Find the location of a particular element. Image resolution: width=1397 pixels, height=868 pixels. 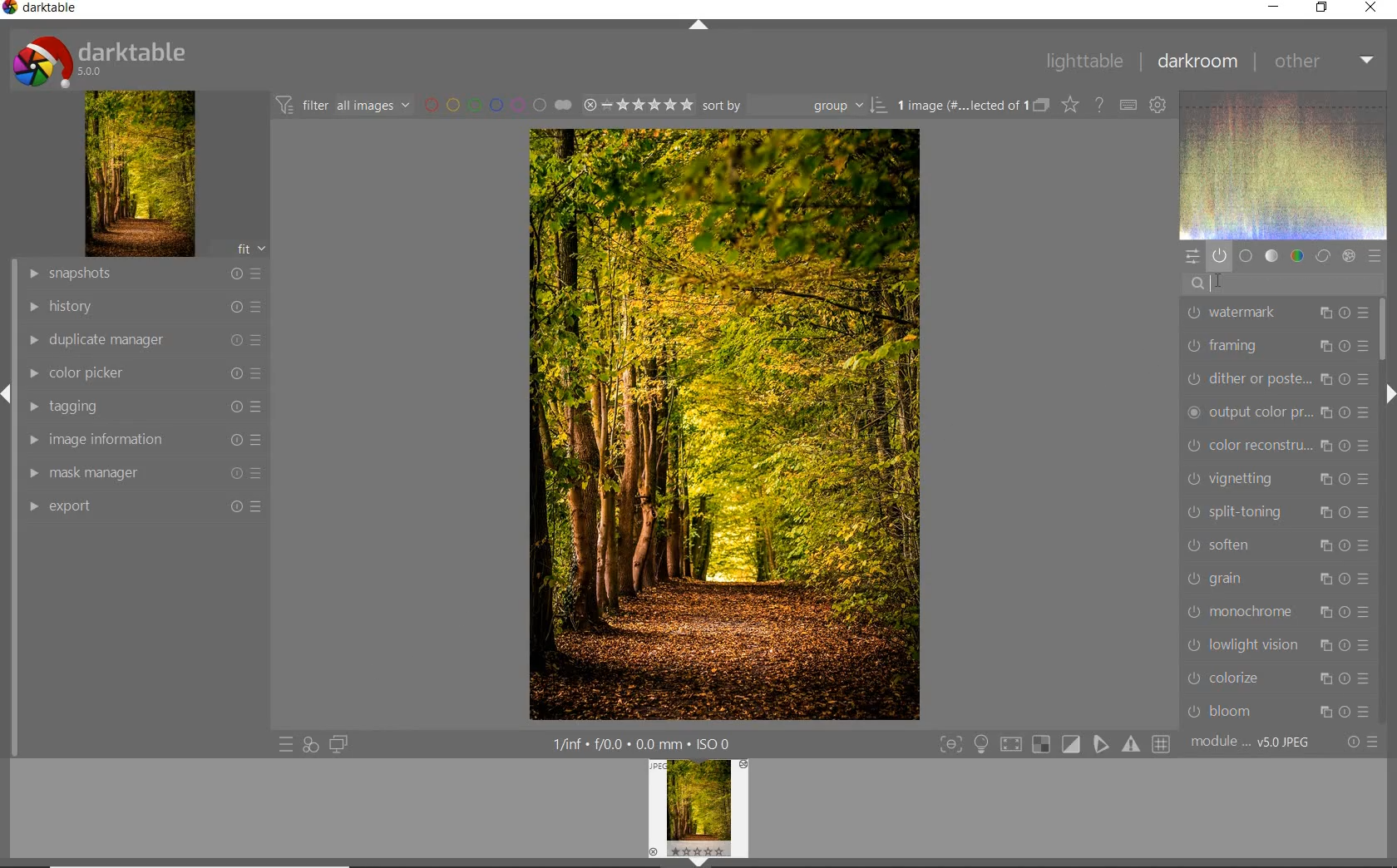

effect is located at coordinates (1349, 254).